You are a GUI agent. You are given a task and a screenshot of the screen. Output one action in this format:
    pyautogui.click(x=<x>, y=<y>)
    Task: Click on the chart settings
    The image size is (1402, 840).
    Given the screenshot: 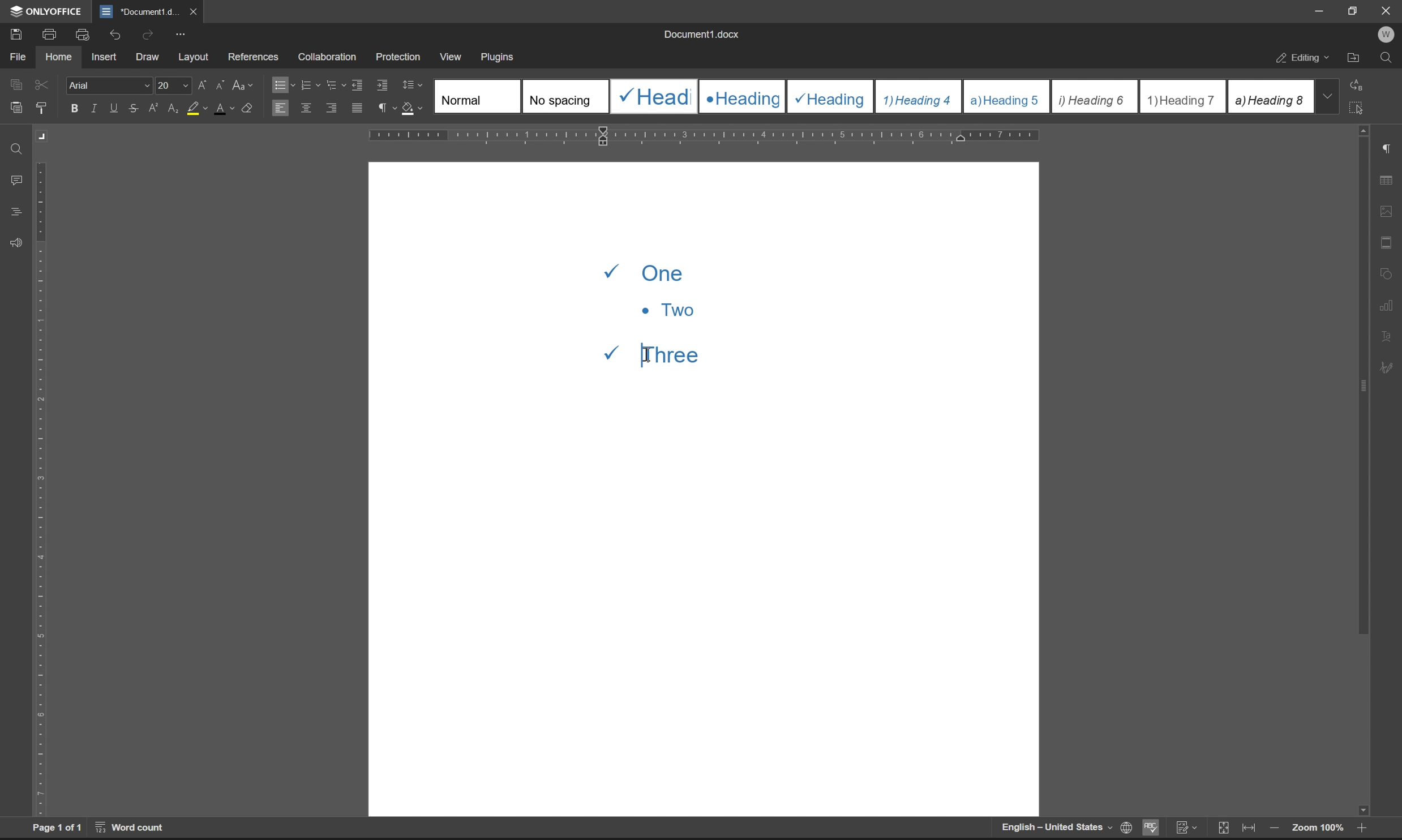 What is the action you would take?
    pyautogui.click(x=1387, y=302)
    